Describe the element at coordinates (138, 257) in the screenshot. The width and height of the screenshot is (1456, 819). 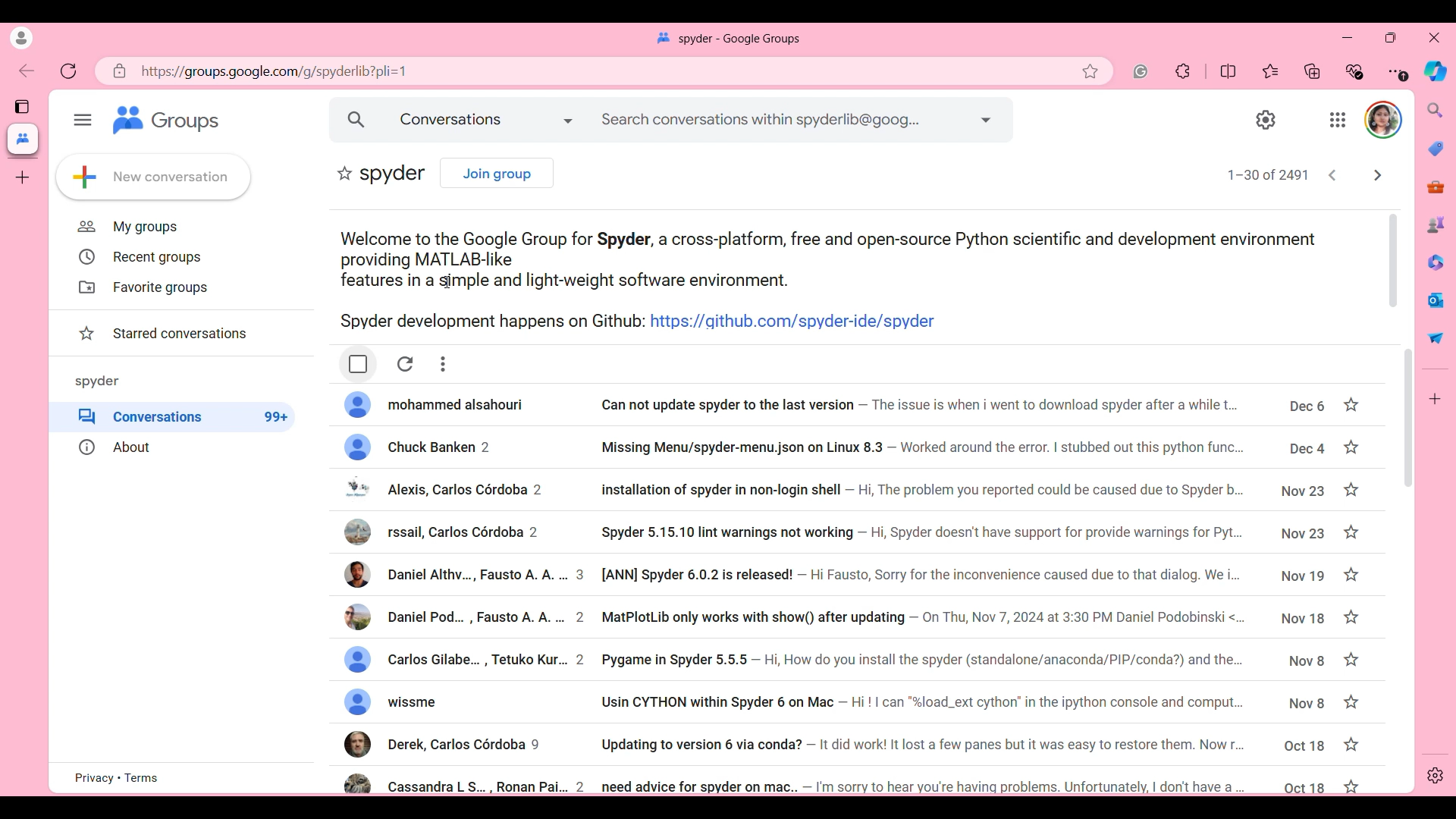
I see `Recent groups` at that location.